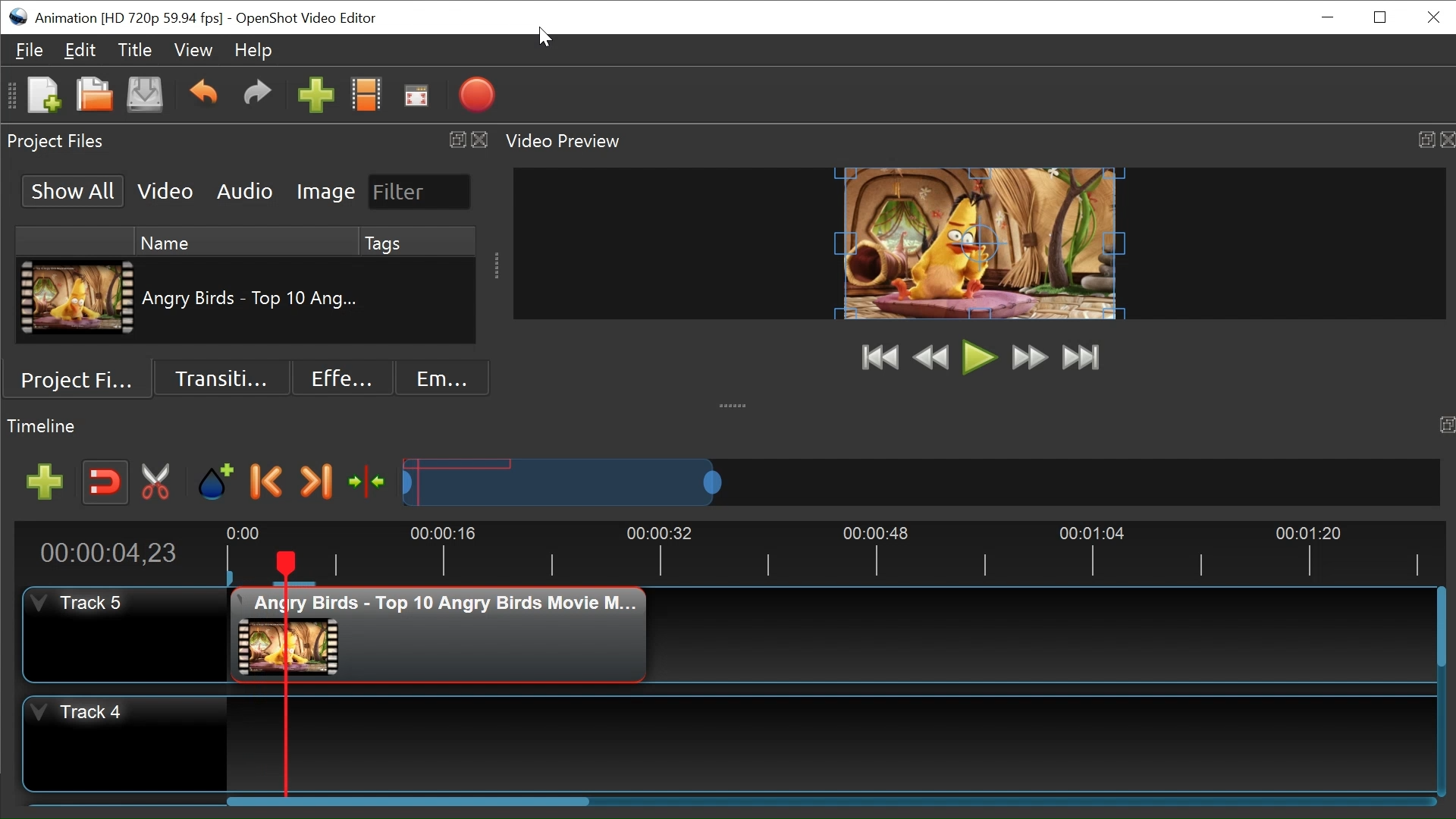  I want to click on Fast Forward, so click(1030, 359).